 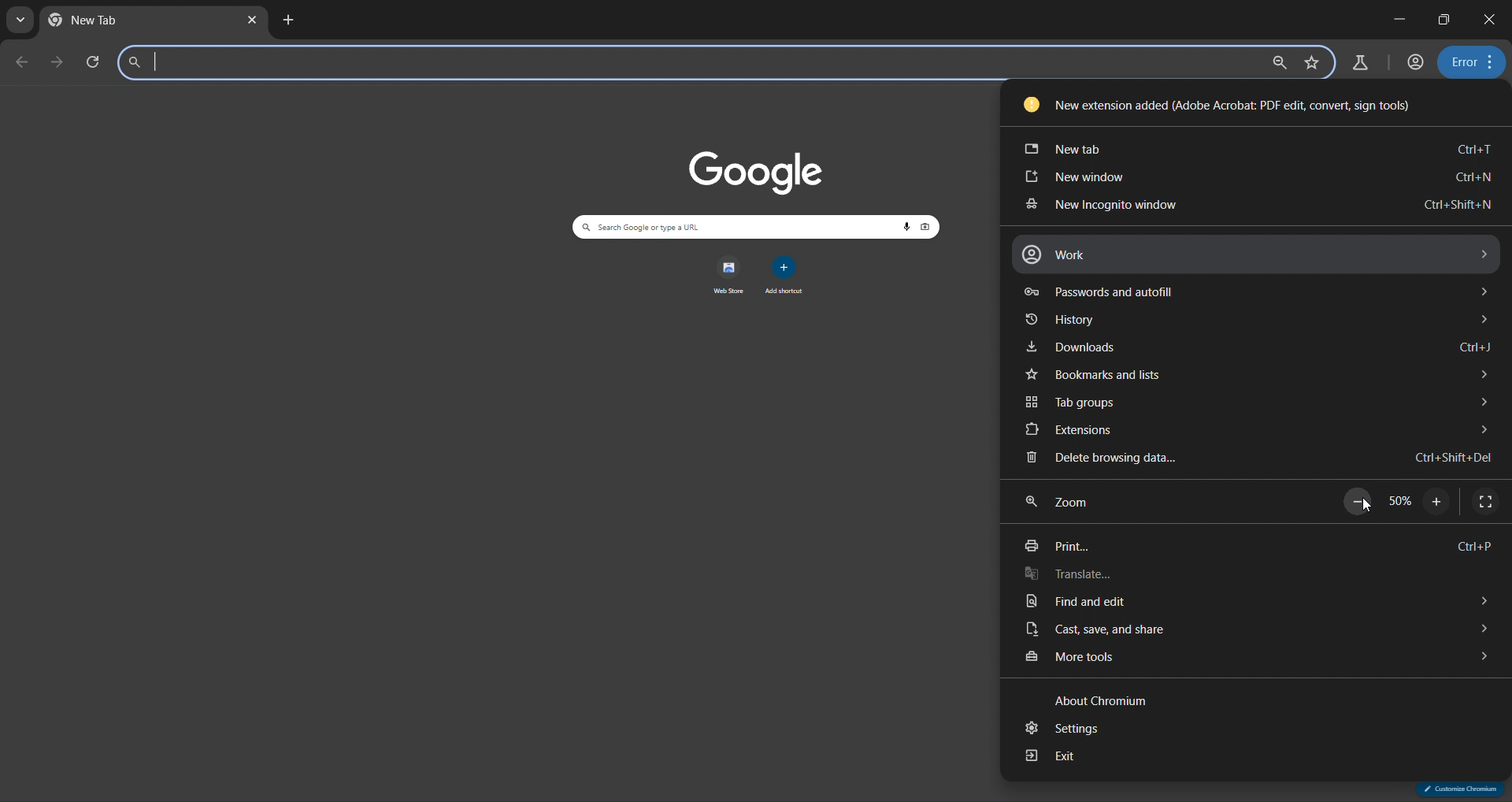 I want to click on bookmarks and lists, so click(x=1257, y=374).